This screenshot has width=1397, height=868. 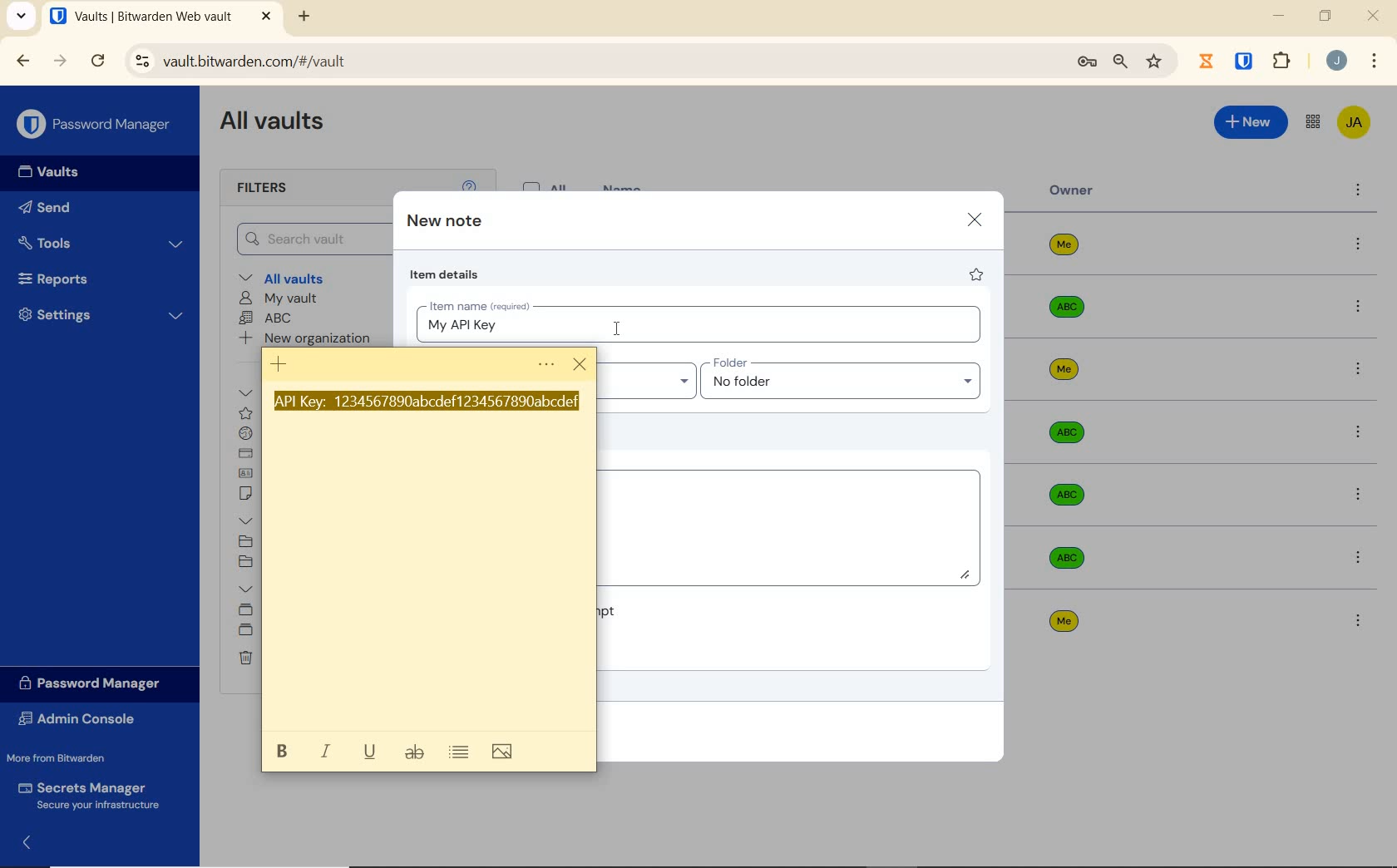 What do you see at coordinates (427, 403) in the screenshot?
I see `API Key copied` at bounding box center [427, 403].